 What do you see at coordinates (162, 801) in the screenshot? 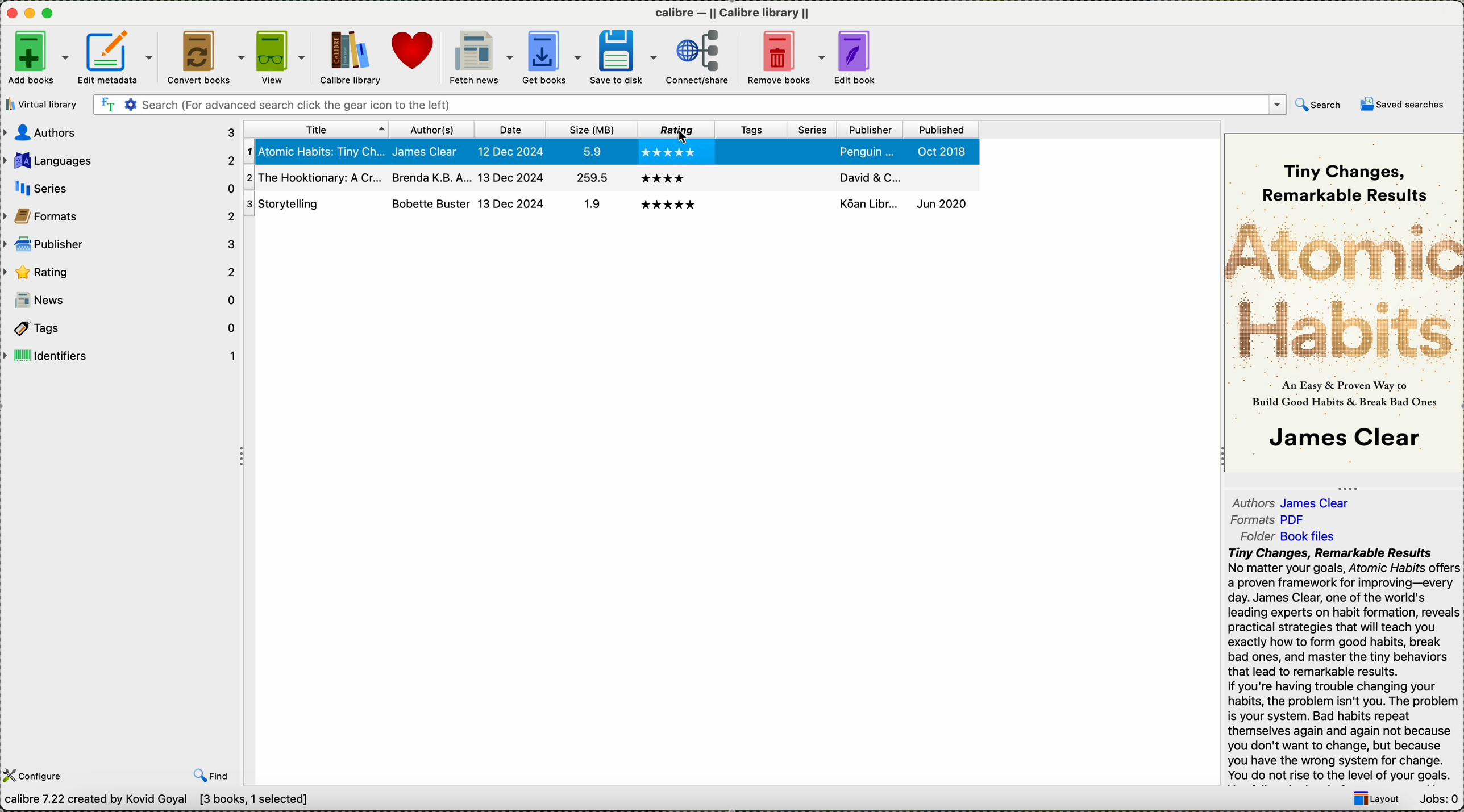
I see `calibre 7.22 created by Kovid Goyal [3 books]` at bounding box center [162, 801].